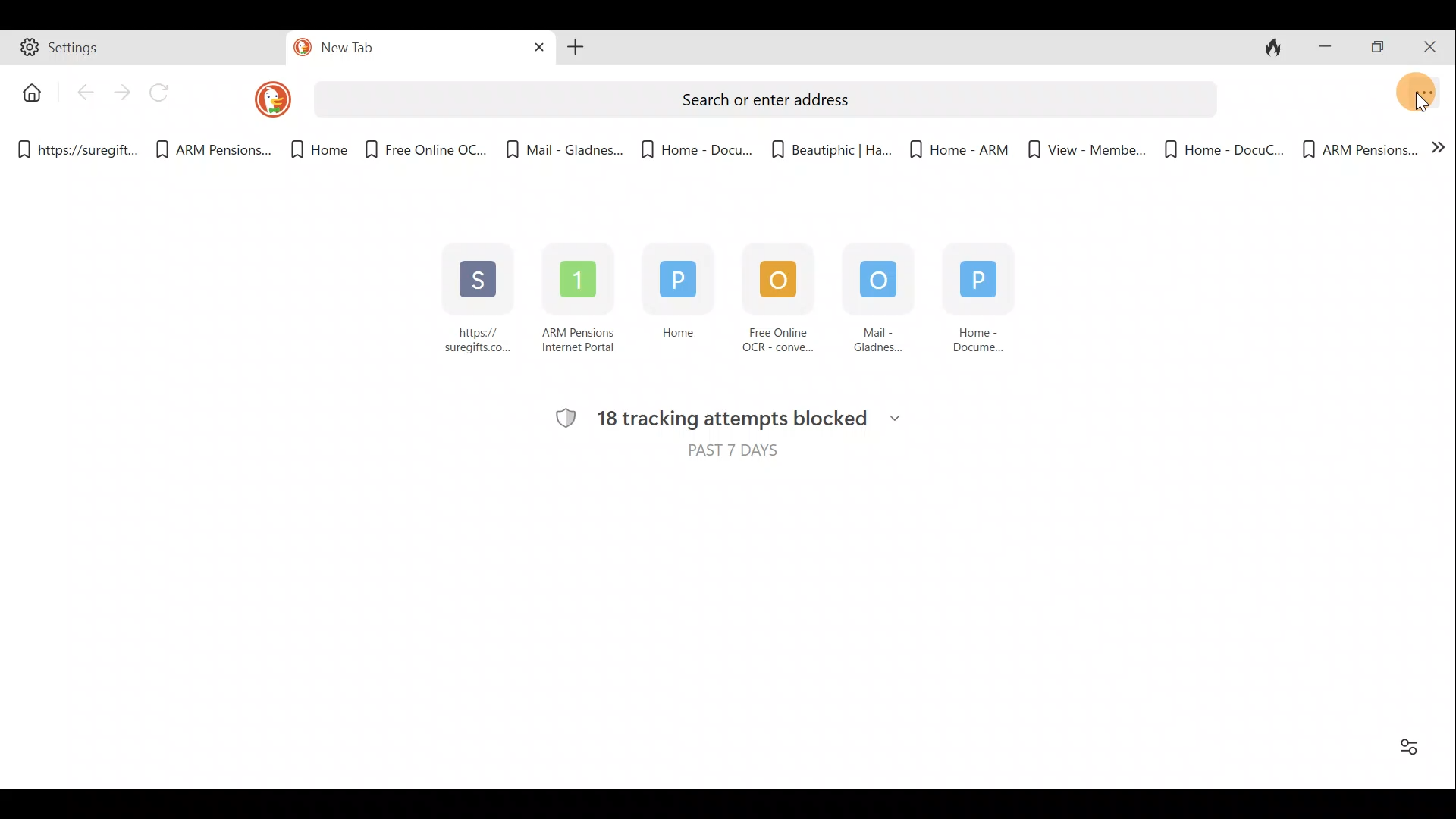 Image resolution: width=1456 pixels, height=819 pixels. What do you see at coordinates (1404, 752) in the screenshot?
I see ` options` at bounding box center [1404, 752].